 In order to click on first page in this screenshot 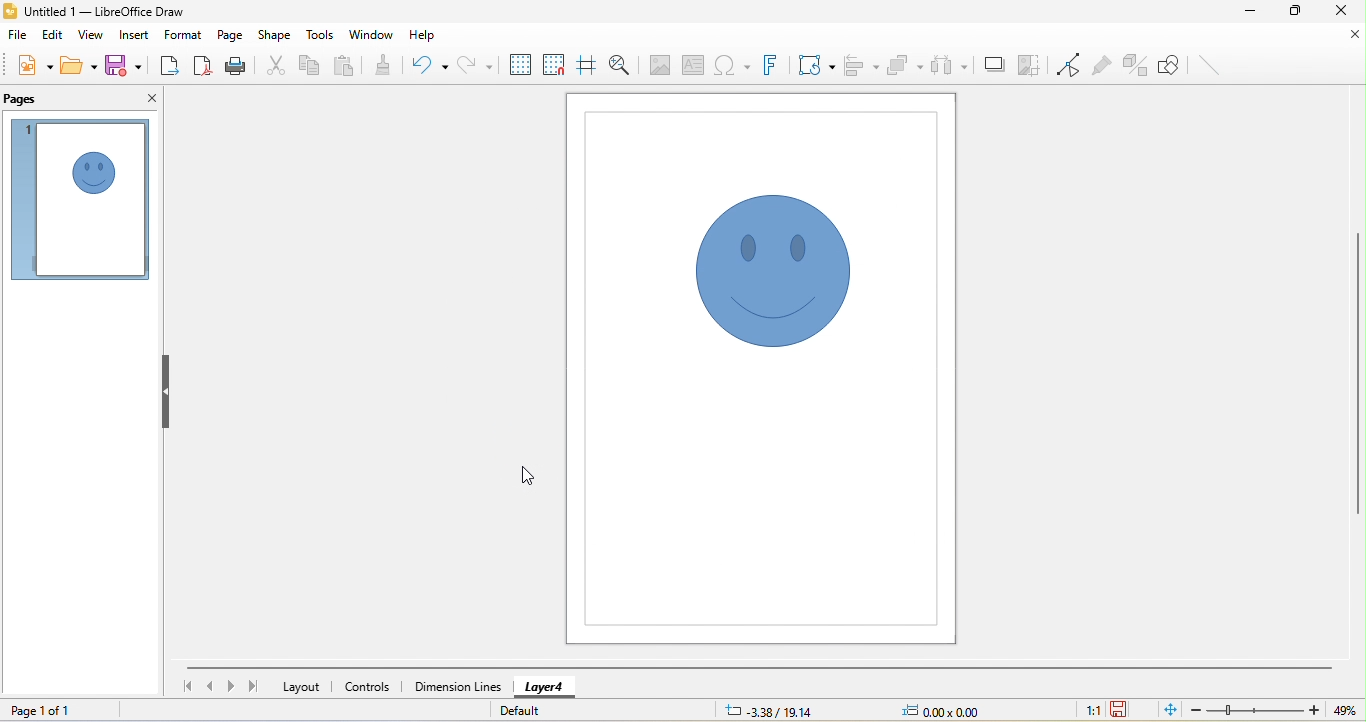, I will do `click(184, 686)`.